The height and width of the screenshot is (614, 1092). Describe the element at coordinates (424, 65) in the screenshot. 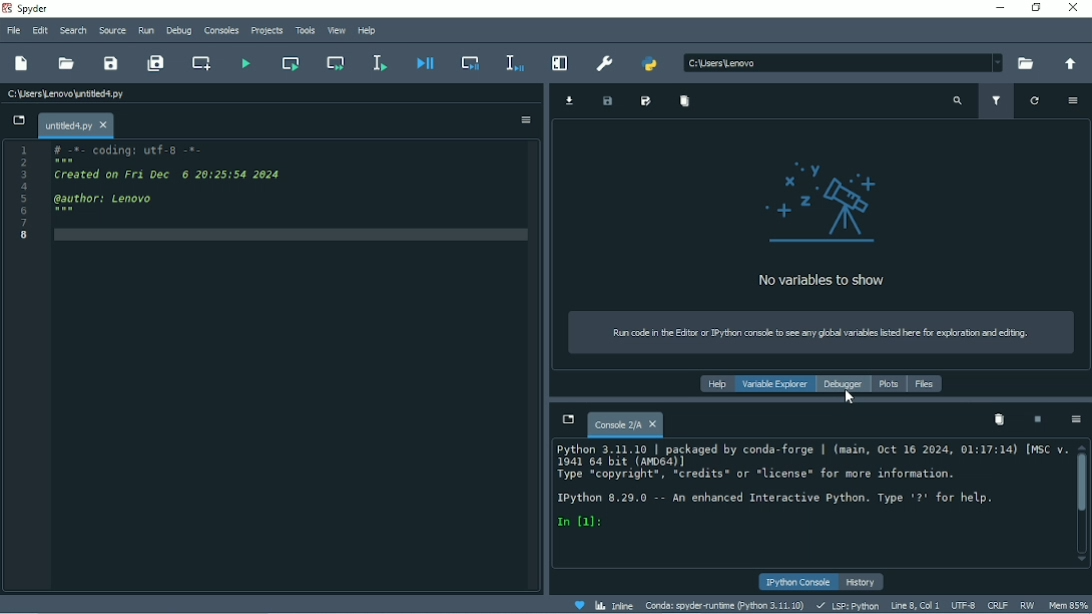

I see `Debug file` at that location.